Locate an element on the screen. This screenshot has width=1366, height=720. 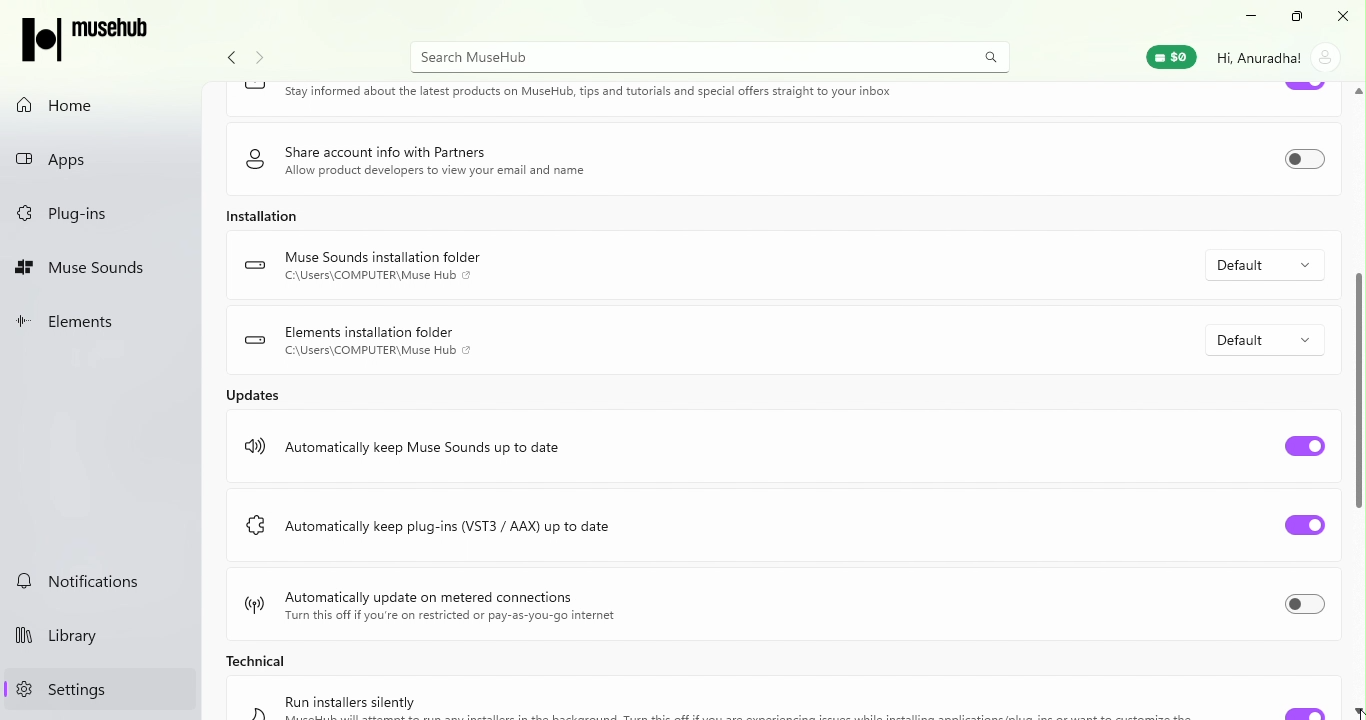
Apps is located at coordinates (99, 164).